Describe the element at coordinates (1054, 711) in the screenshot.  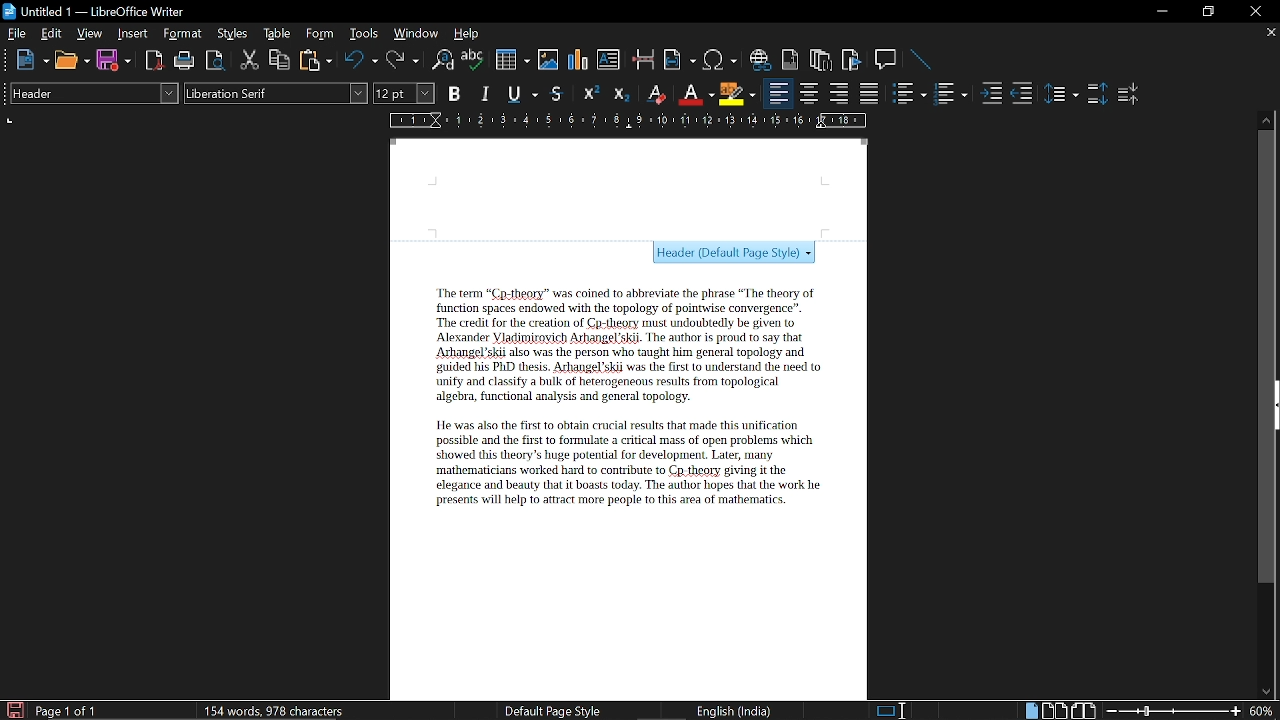
I see `Multiple page view` at that location.